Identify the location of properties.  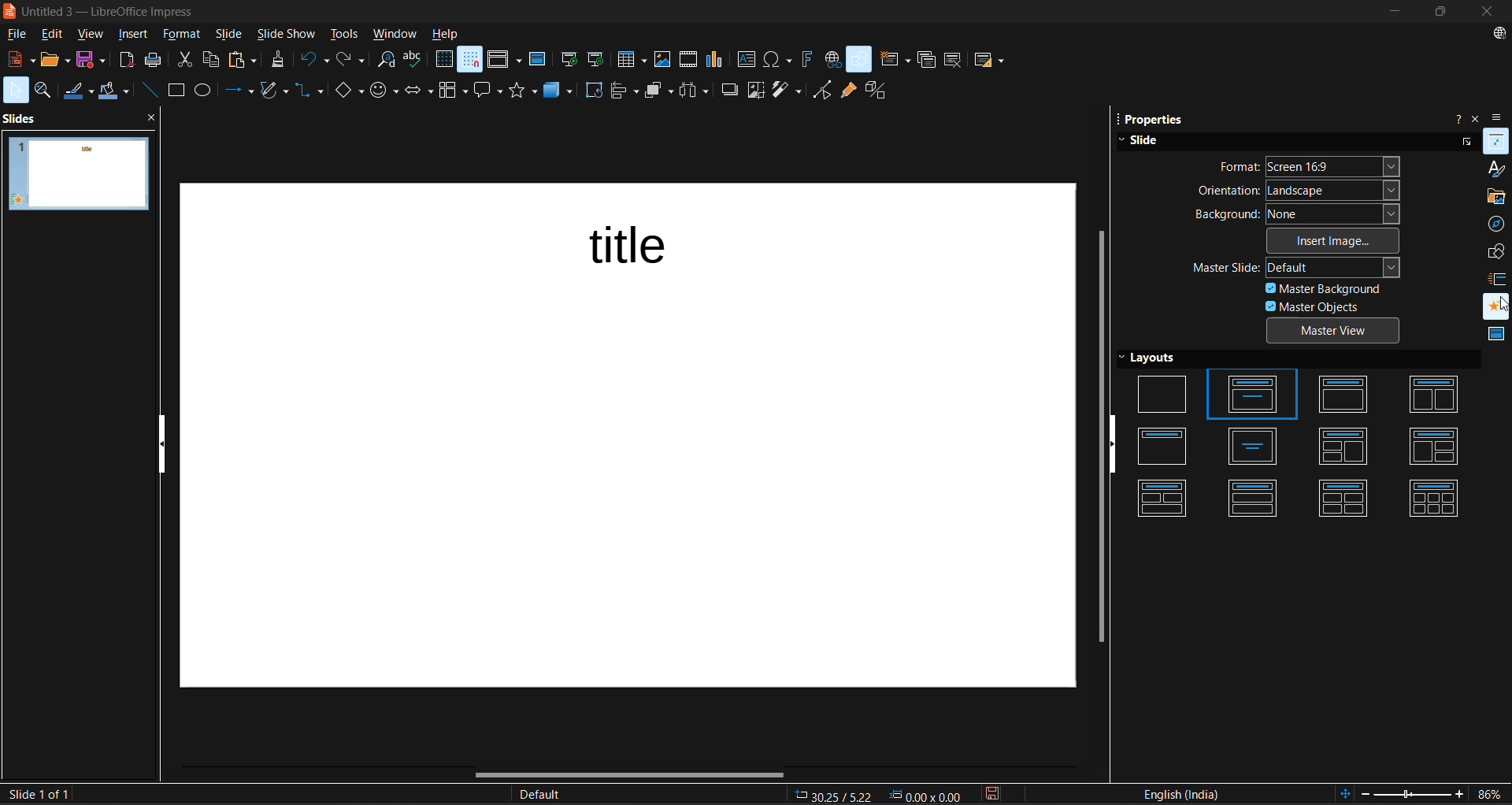
(1497, 140).